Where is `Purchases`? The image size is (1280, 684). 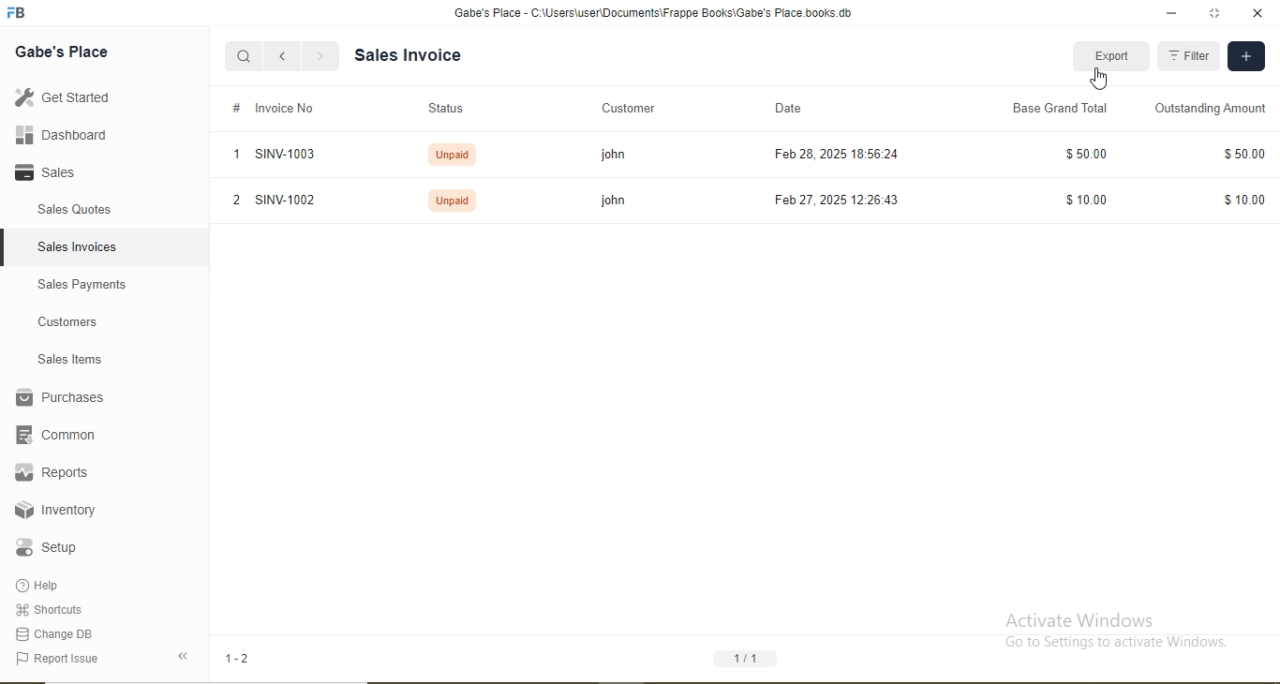
Purchases is located at coordinates (61, 396).